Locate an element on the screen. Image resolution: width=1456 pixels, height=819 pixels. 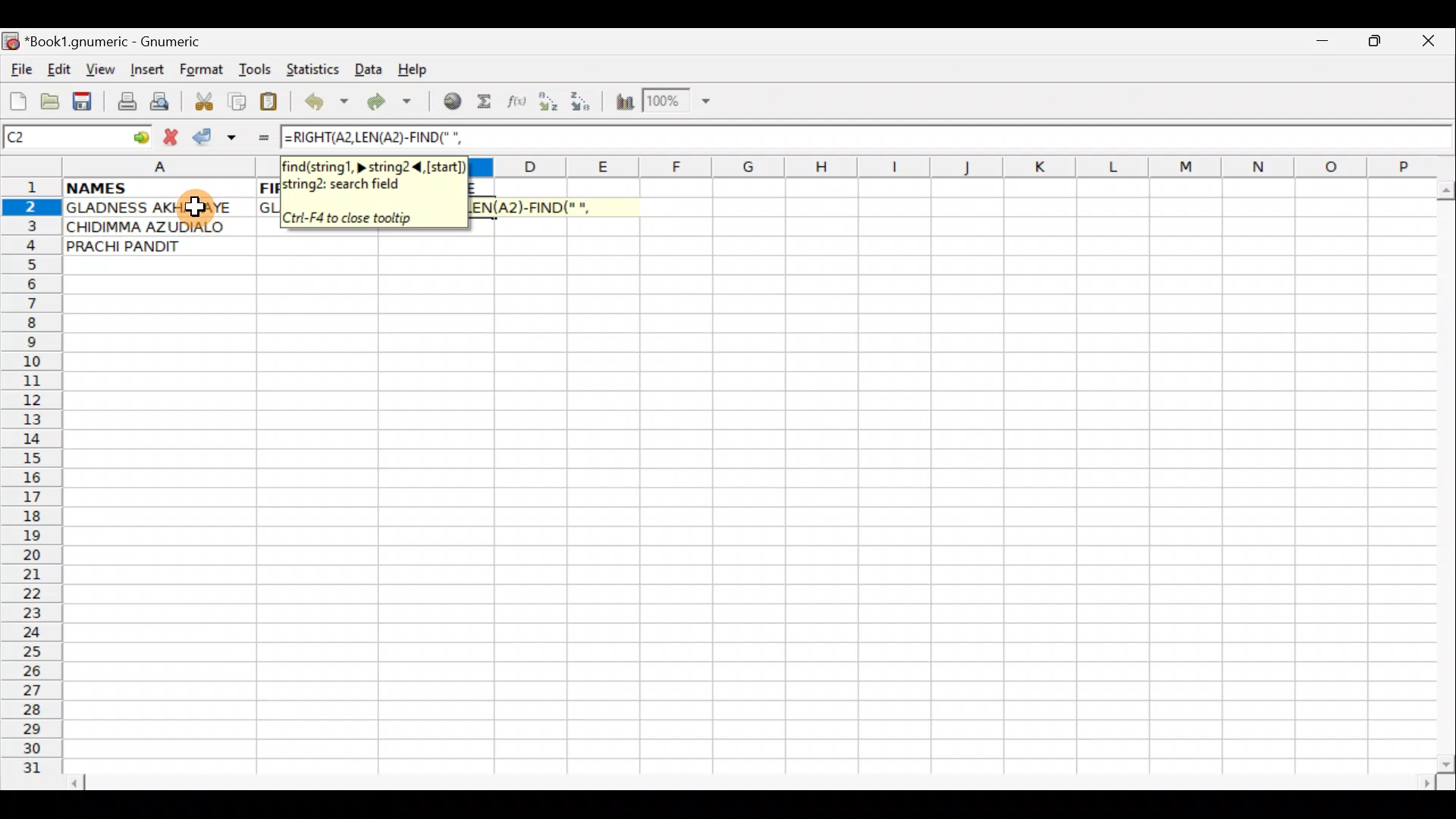
Copy selection is located at coordinates (238, 101).